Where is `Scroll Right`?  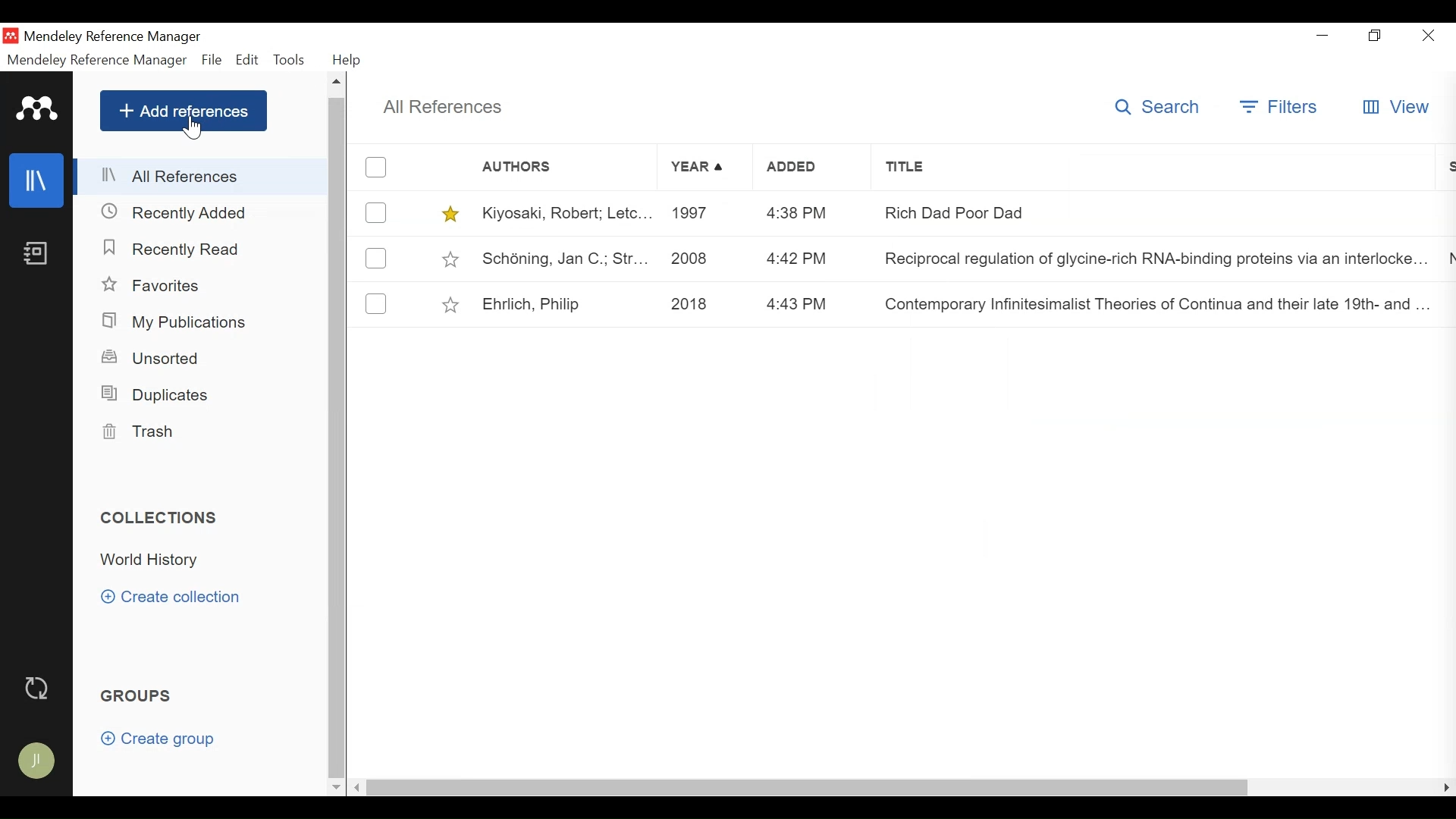 Scroll Right is located at coordinates (1445, 788).